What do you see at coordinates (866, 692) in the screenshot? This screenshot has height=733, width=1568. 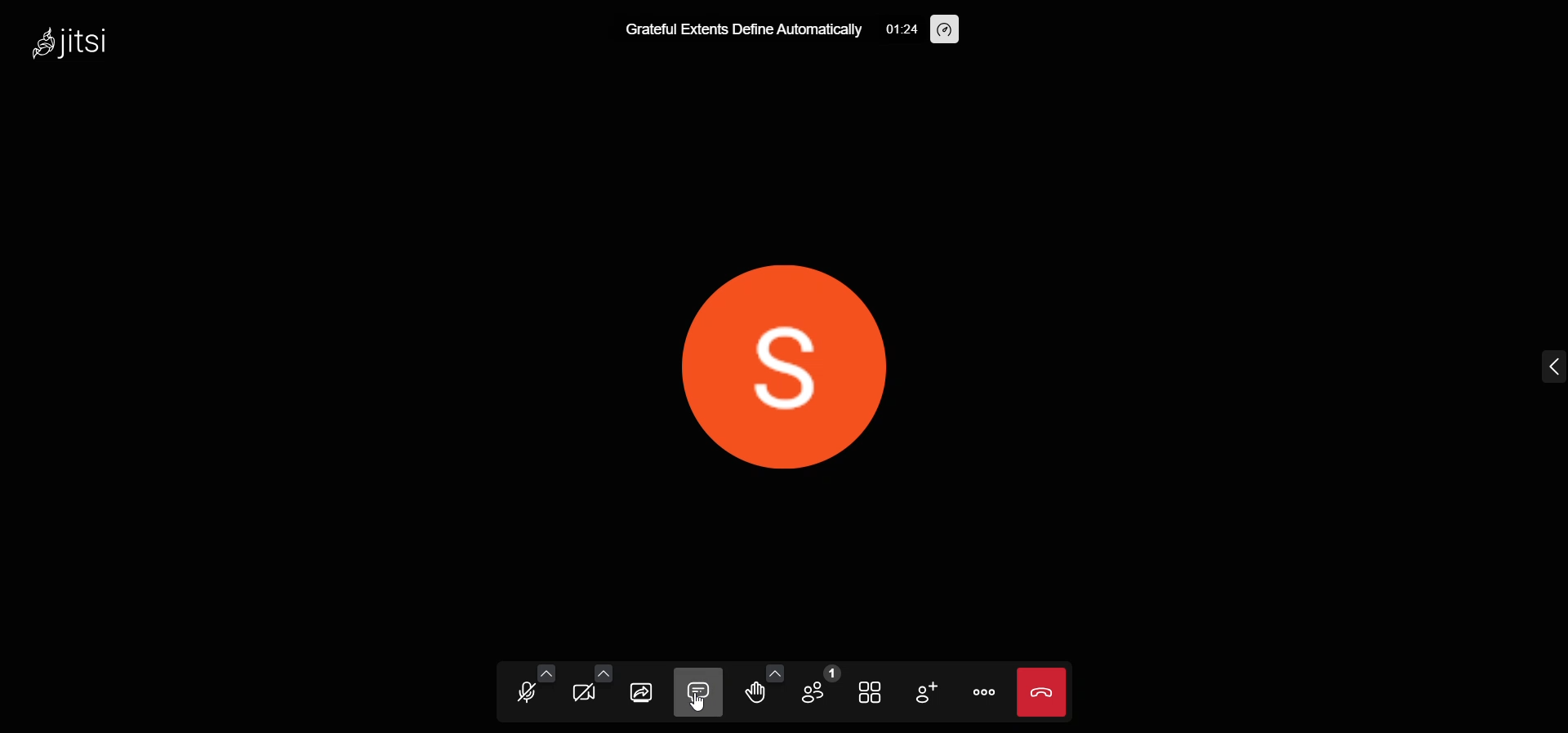 I see `tile view` at bounding box center [866, 692].